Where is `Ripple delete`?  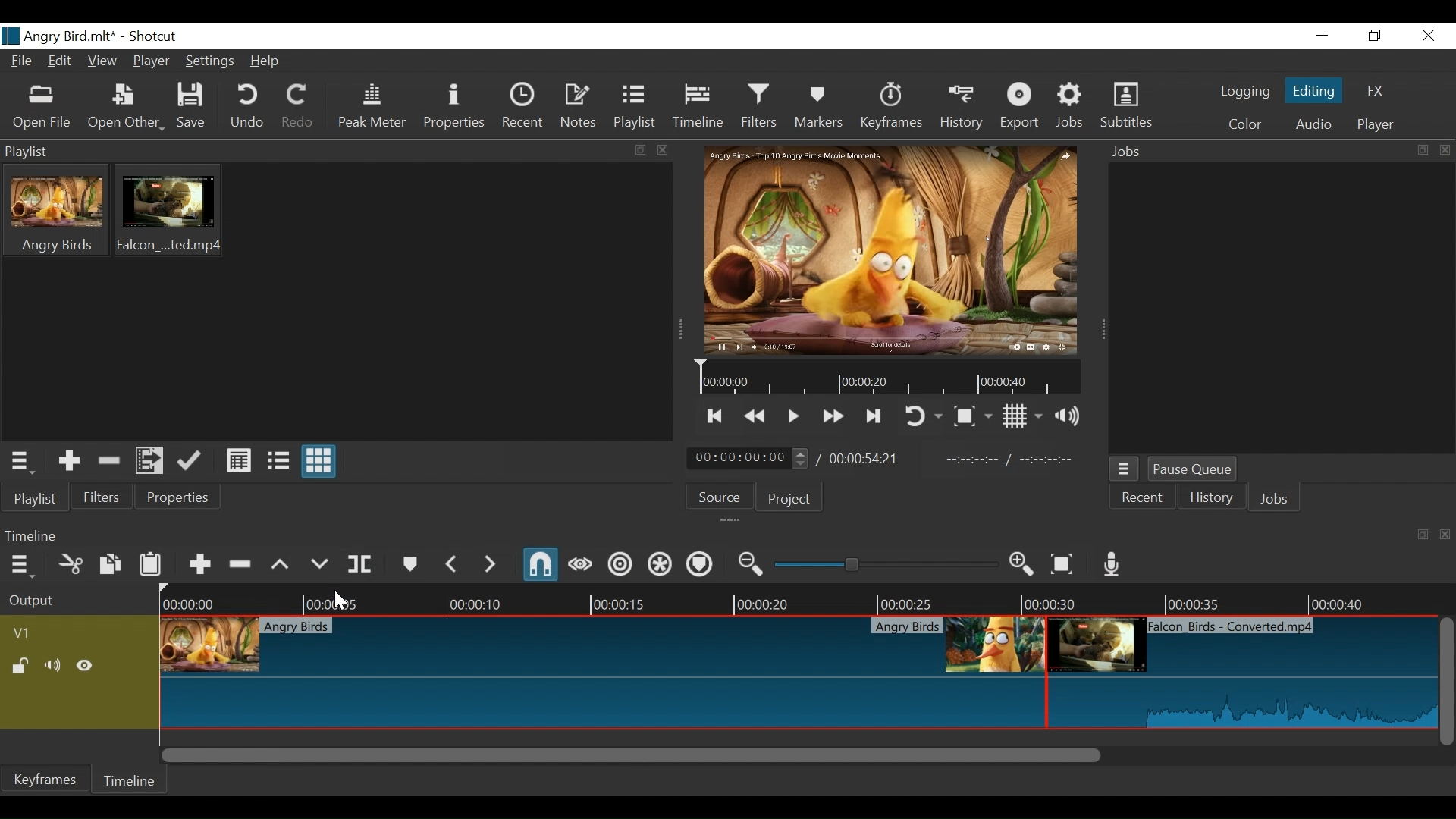 Ripple delete is located at coordinates (240, 564).